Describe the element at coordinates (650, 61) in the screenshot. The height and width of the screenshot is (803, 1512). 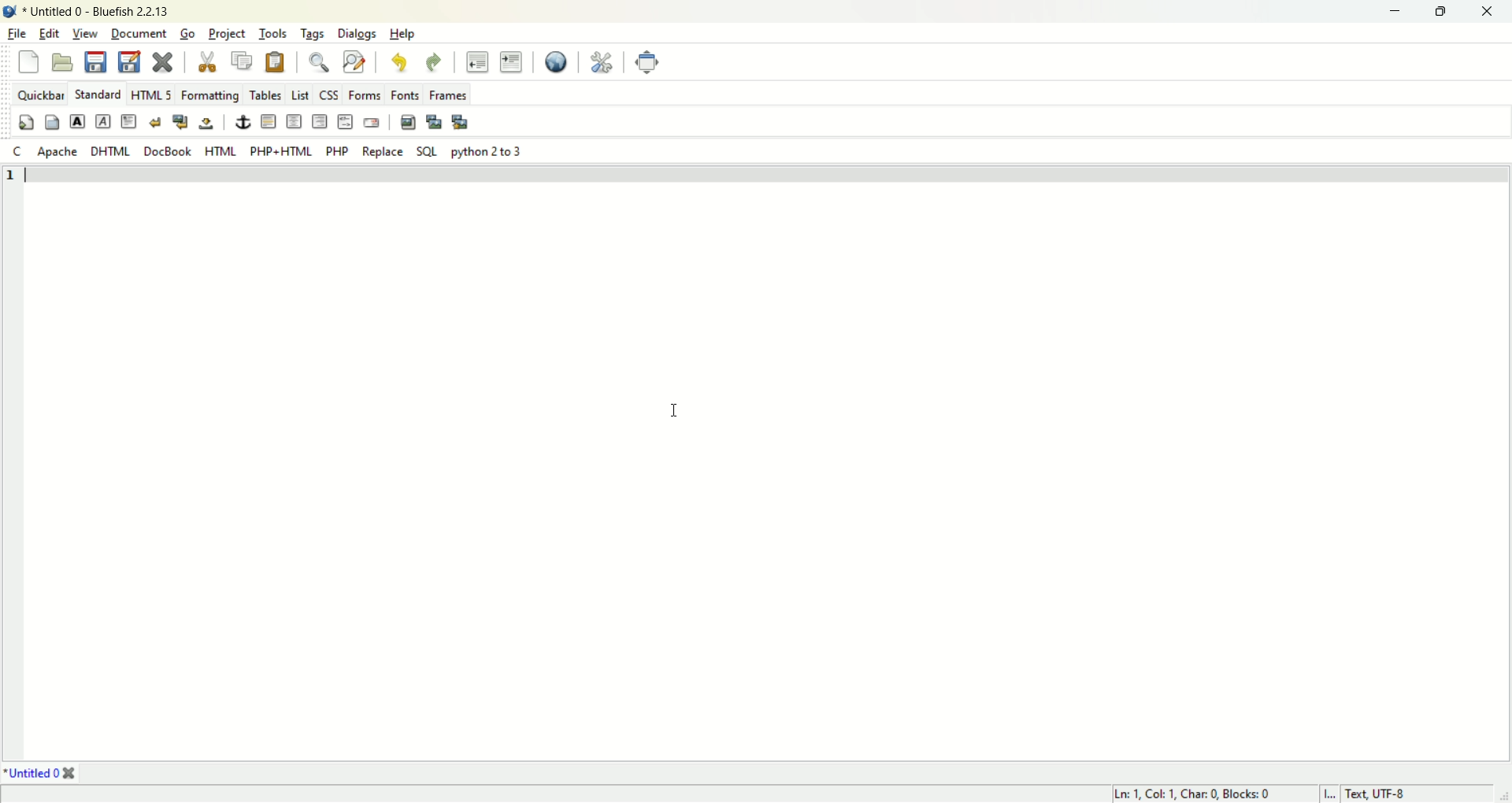
I see `fullscreen` at that location.